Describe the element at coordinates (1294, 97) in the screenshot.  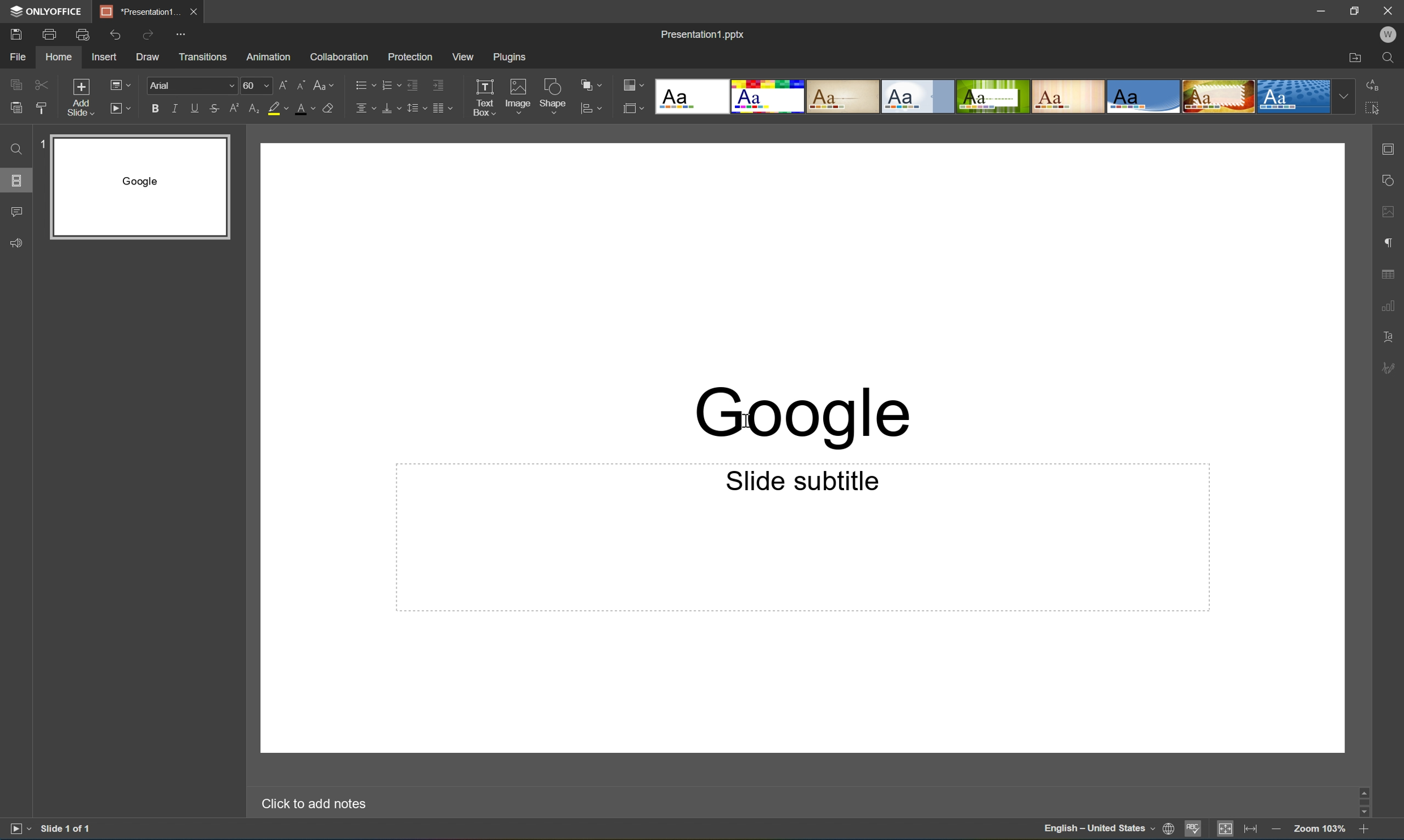
I see `Dotted` at that location.